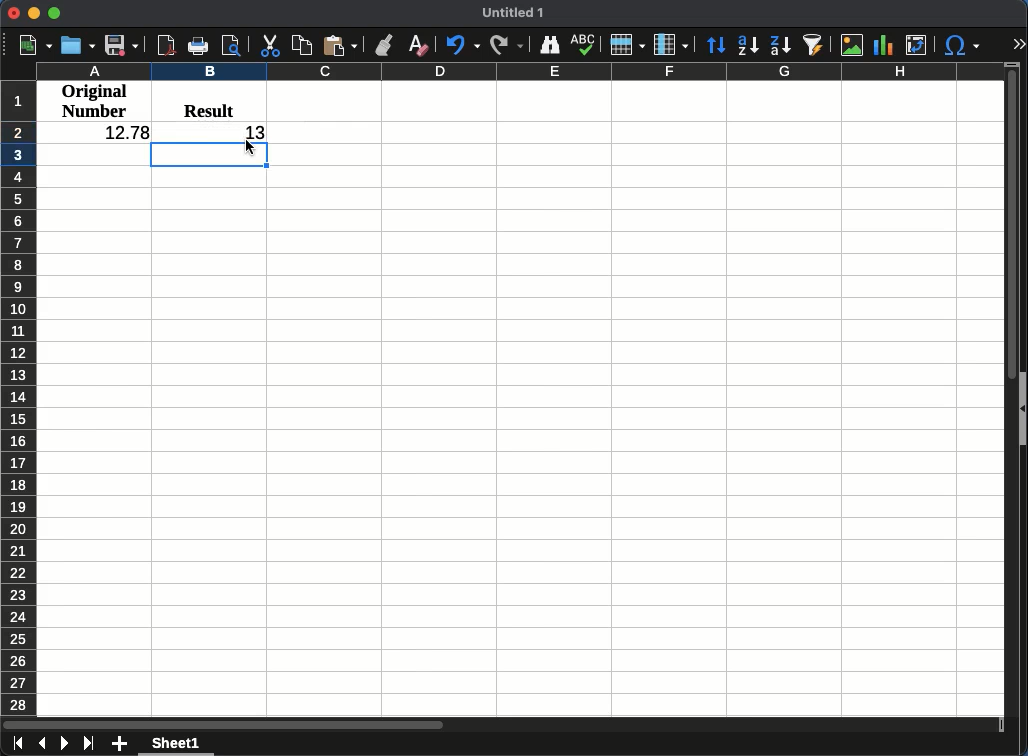 This screenshot has height=756, width=1028. Describe the element at coordinates (15, 745) in the screenshot. I see `first sheet` at that location.